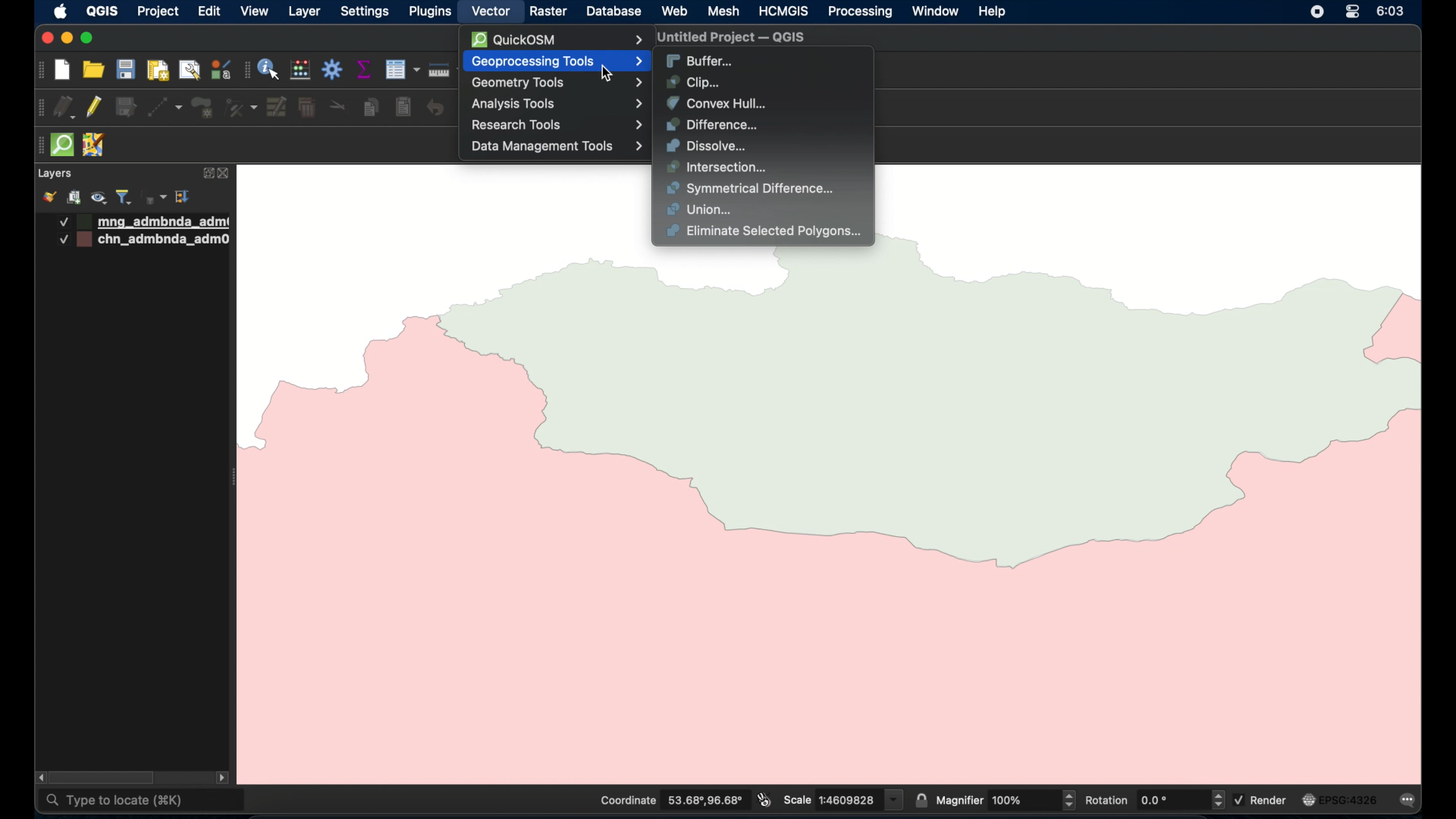  Describe the element at coordinates (491, 12) in the screenshot. I see `vector` at that location.